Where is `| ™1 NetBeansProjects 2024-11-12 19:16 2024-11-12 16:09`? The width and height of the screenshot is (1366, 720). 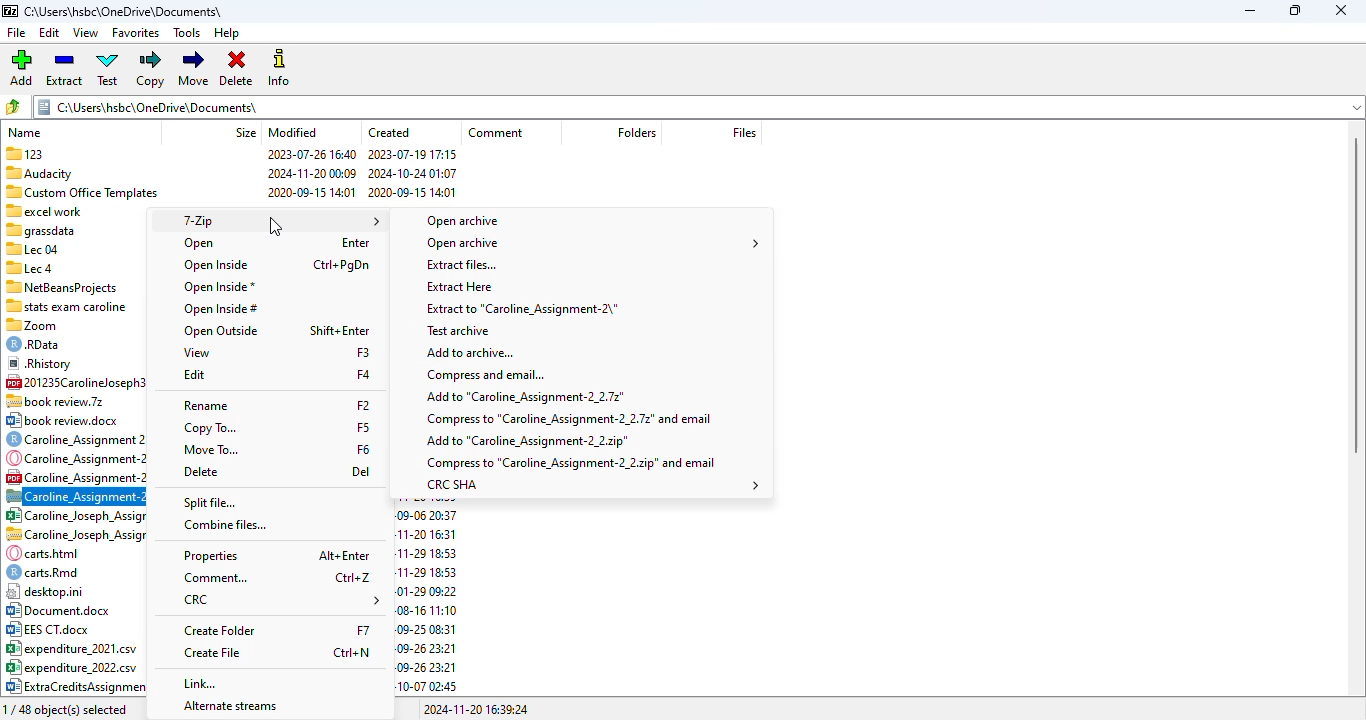
| ™1 NetBeansProjects 2024-11-12 19:16 2024-11-12 16:09 is located at coordinates (76, 285).